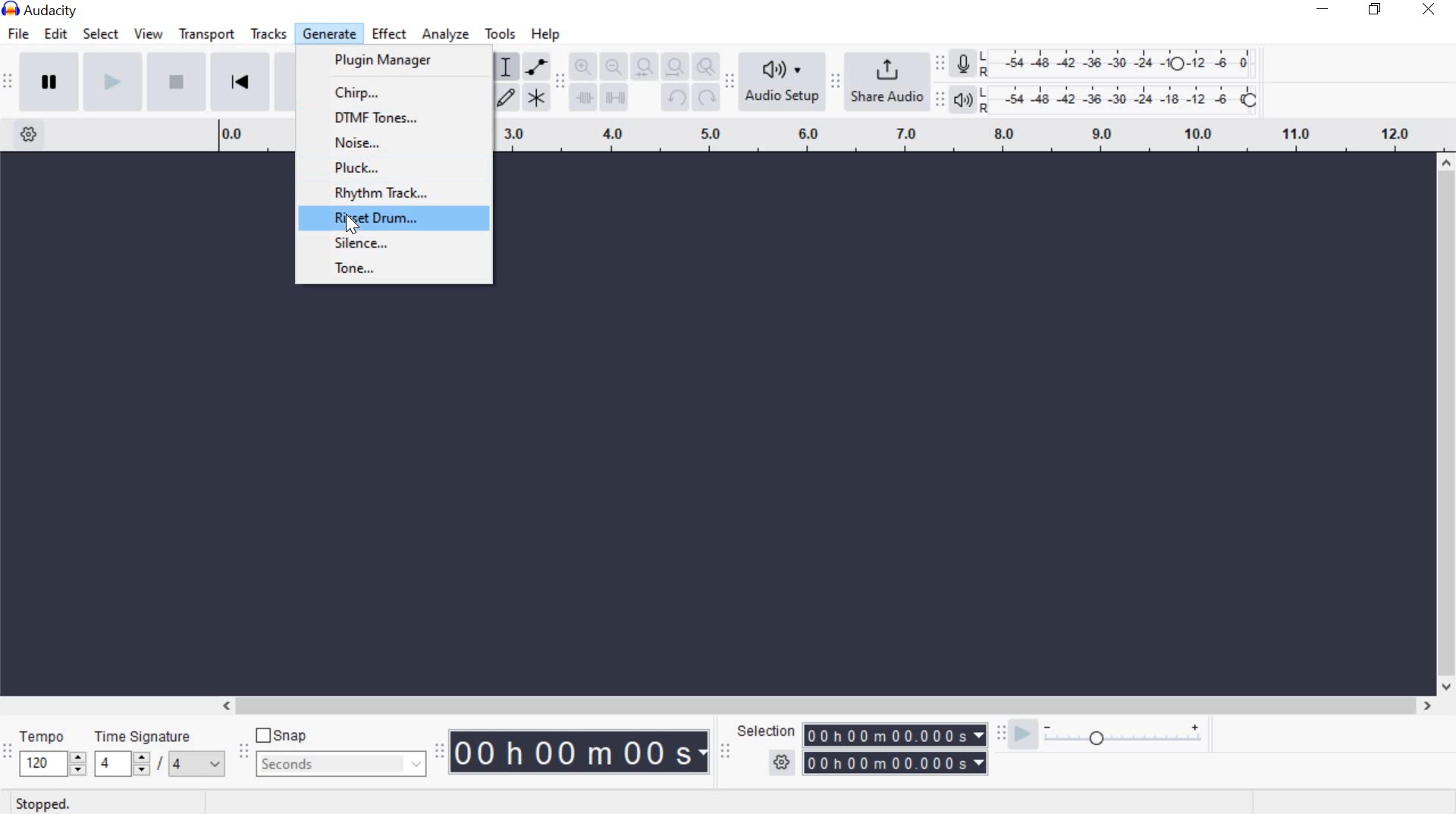  What do you see at coordinates (705, 96) in the screenshot?
I see `redo` at bounding box center [705, 96].